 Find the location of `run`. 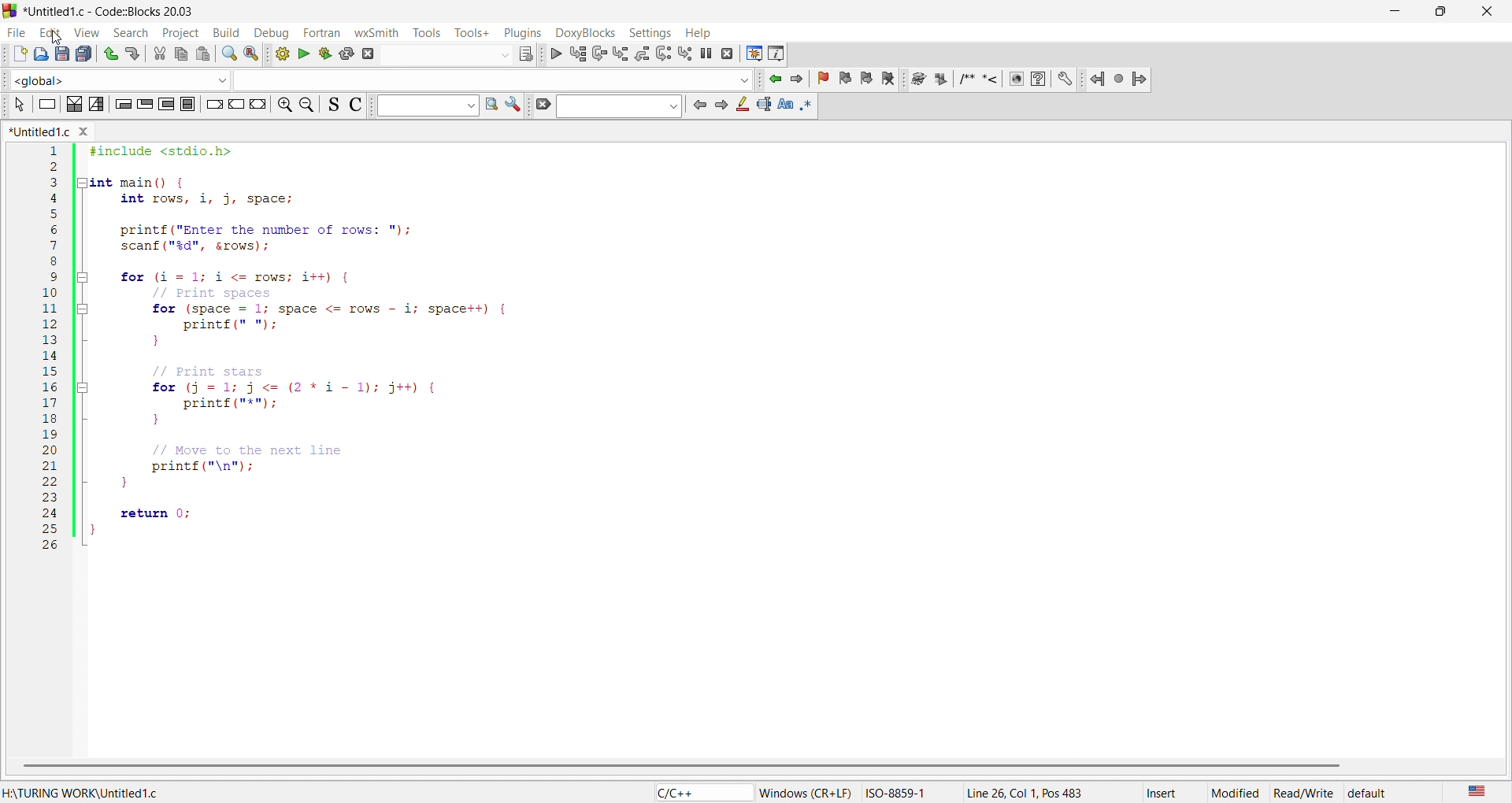

run is located at coordinates (300, 54).